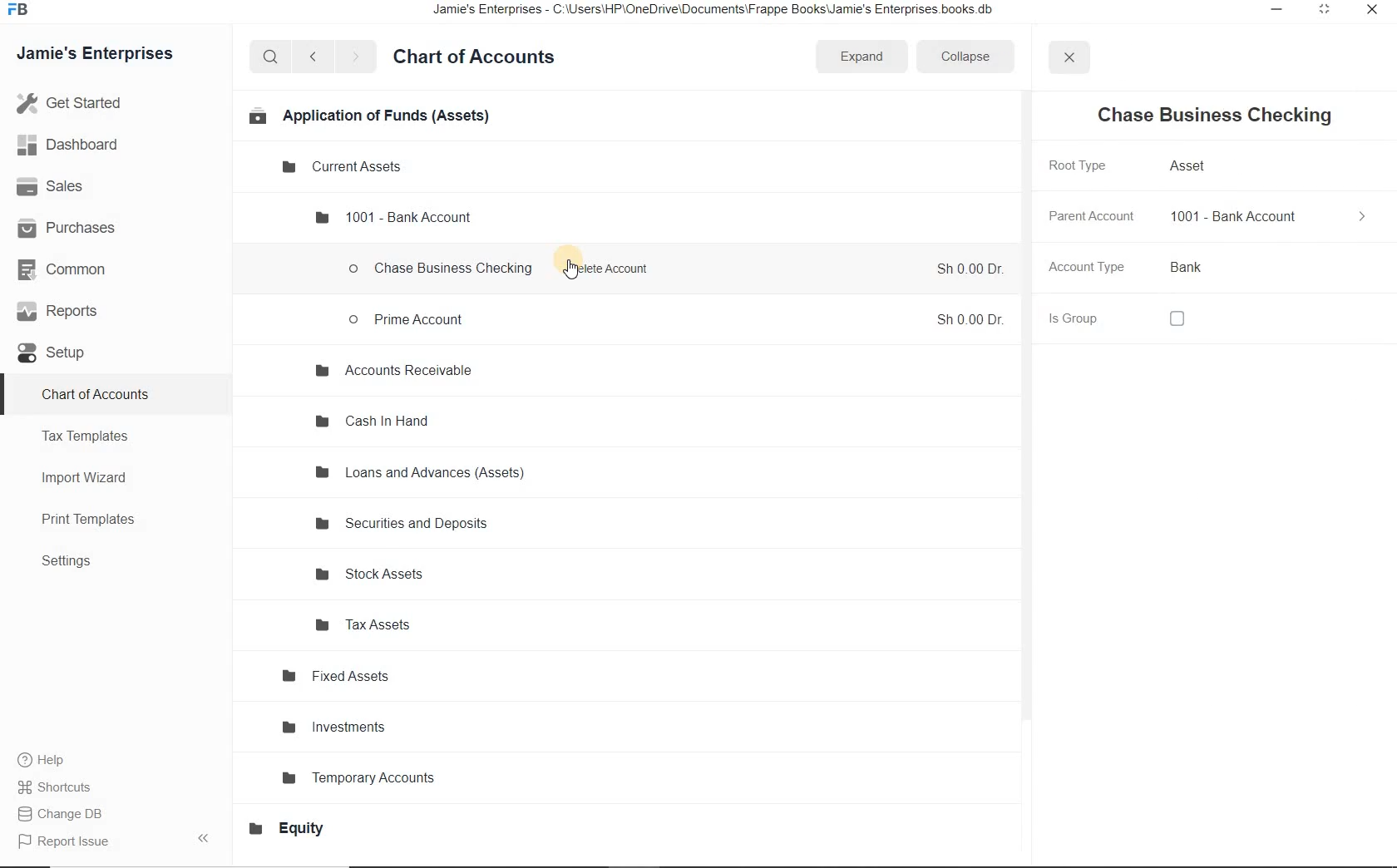  Describe the element at coordinates (570, 269) in the screenshot. I see `cursor` at that location.